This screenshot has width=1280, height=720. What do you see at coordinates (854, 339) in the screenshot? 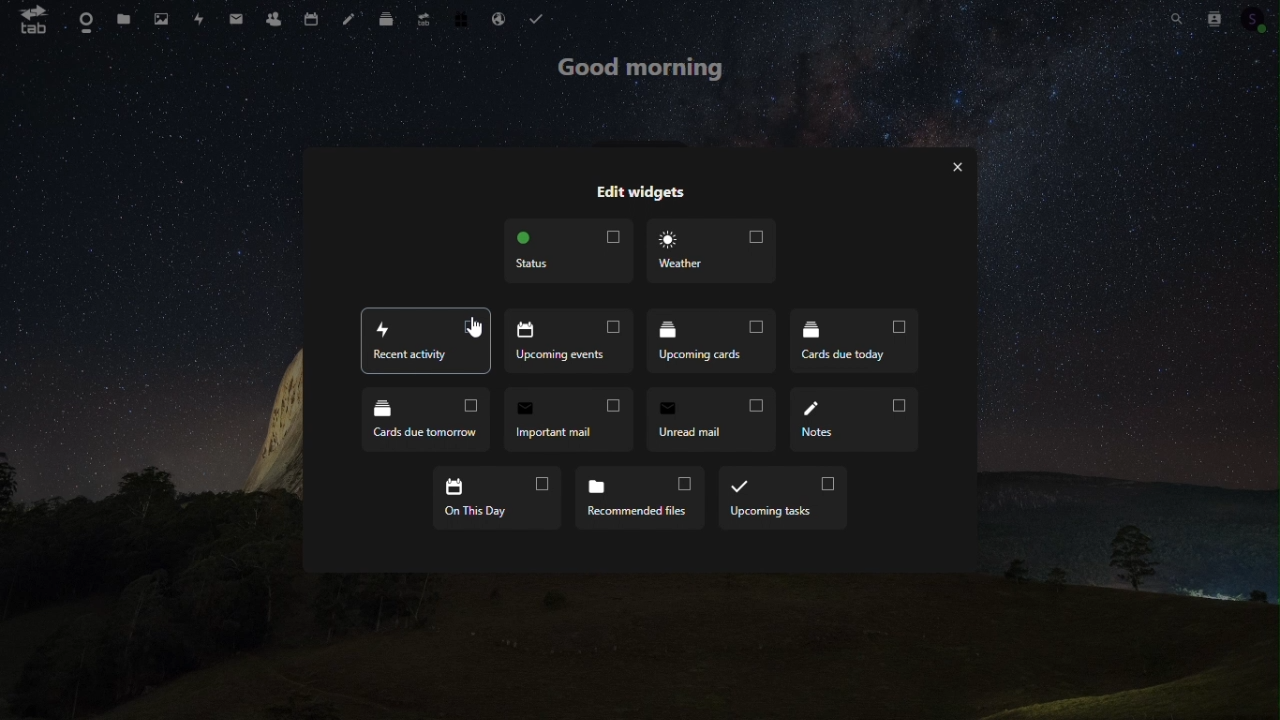
I see `Cards due today` at bounding box center [854, 339].